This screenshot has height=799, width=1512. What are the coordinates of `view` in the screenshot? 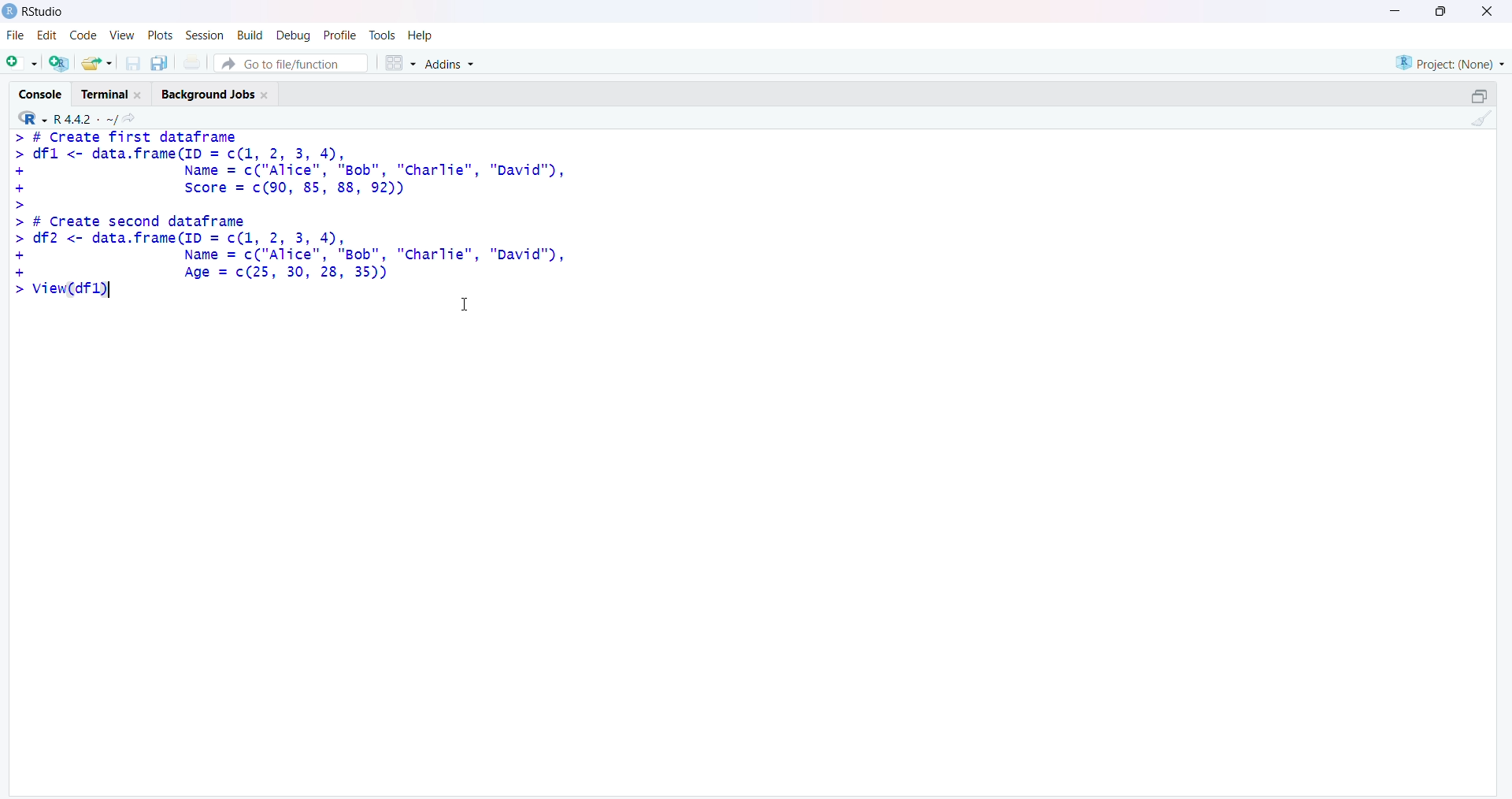 It's located at (123, 36).